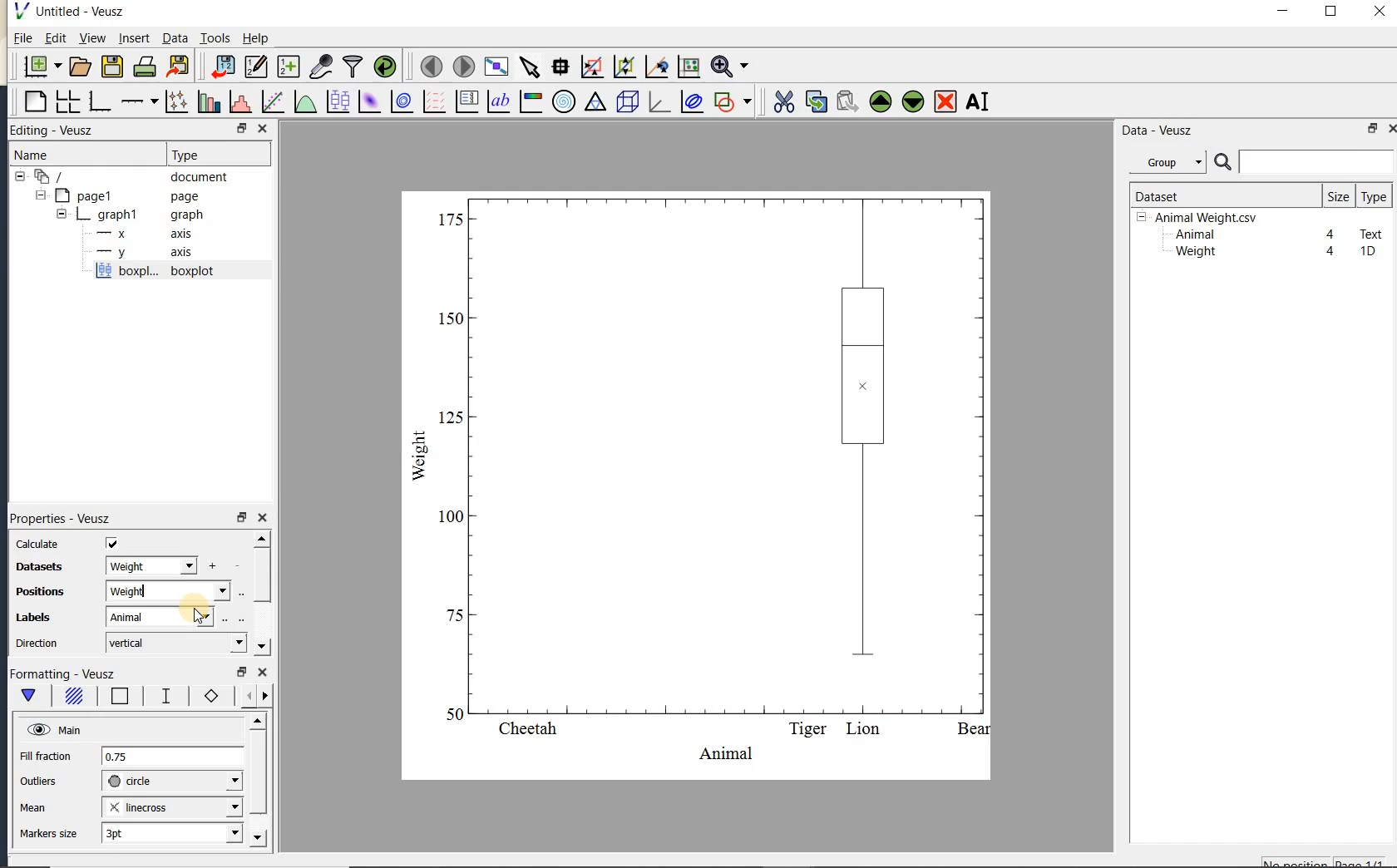 This screenshot has height=868, width=1397. What do you see at coordinates (172, 757) in the screenshot?
I see `0.75` at bounding box center [172, 757].